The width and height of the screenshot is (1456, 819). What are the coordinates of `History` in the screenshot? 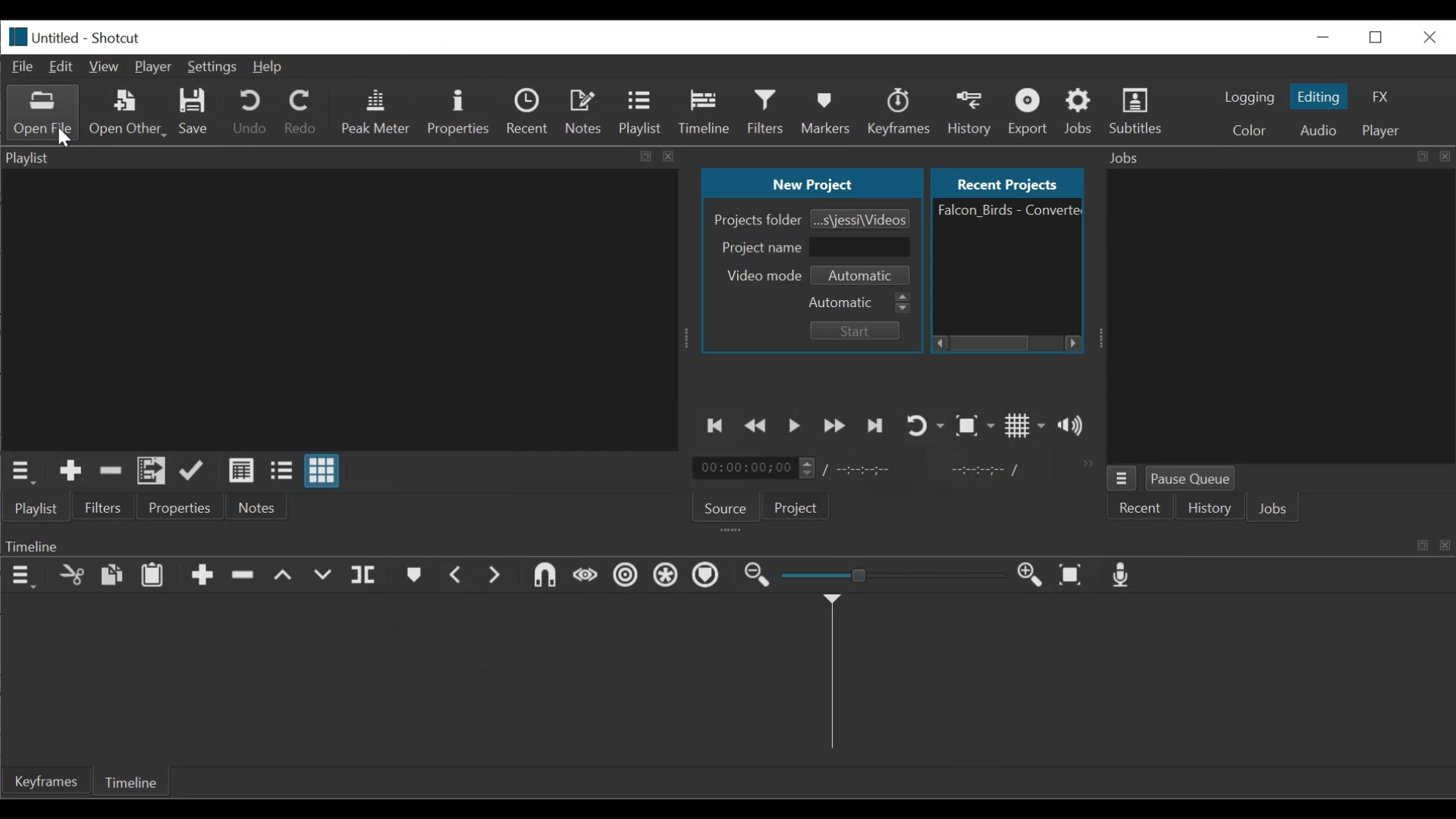 It's located at (971, 114).